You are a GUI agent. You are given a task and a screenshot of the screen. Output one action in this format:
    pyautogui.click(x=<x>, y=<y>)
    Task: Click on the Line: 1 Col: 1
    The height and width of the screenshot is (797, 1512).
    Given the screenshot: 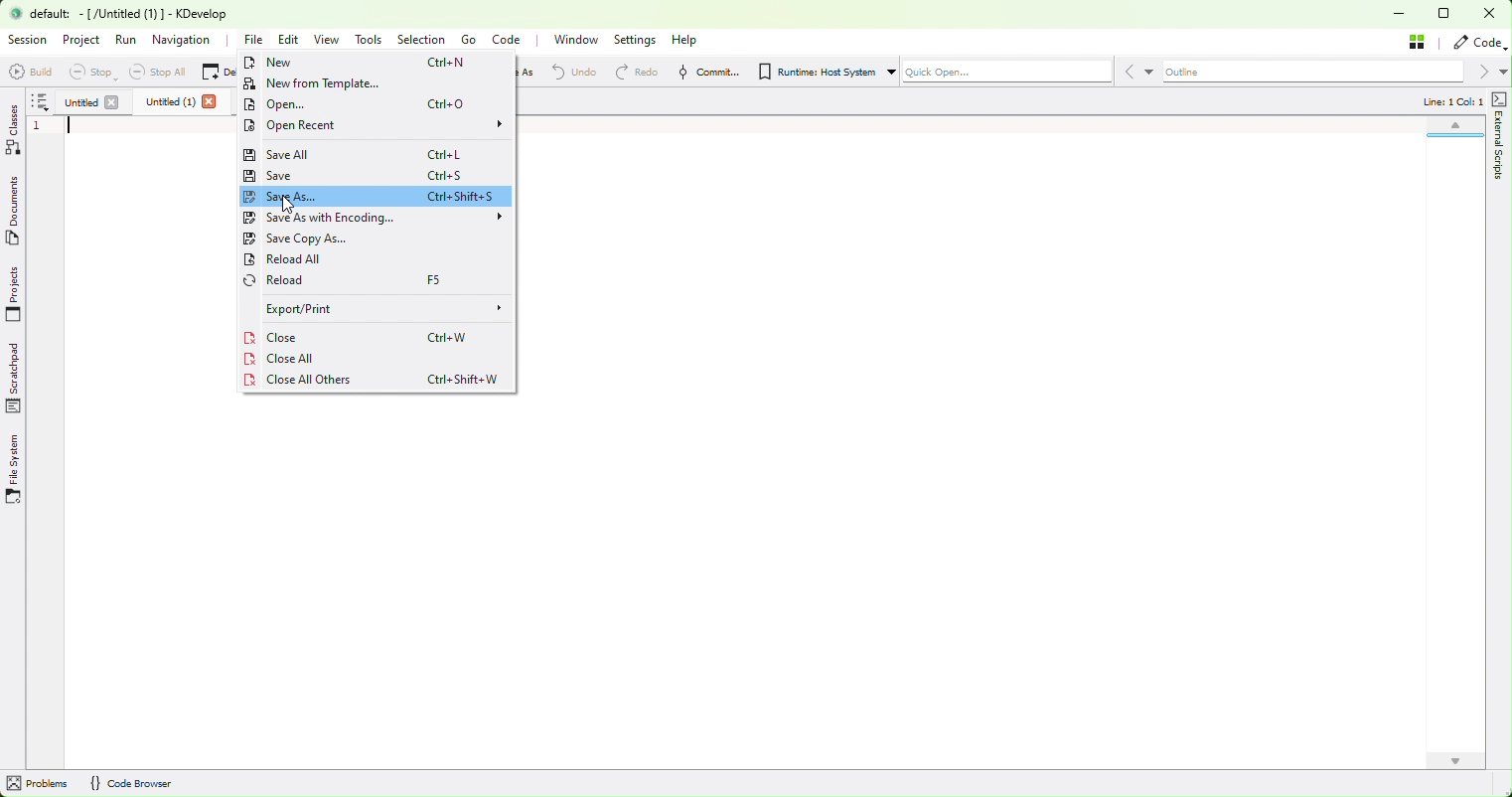 What is the action you would take?
    pyautogui.click(x=1451, y=101)
    